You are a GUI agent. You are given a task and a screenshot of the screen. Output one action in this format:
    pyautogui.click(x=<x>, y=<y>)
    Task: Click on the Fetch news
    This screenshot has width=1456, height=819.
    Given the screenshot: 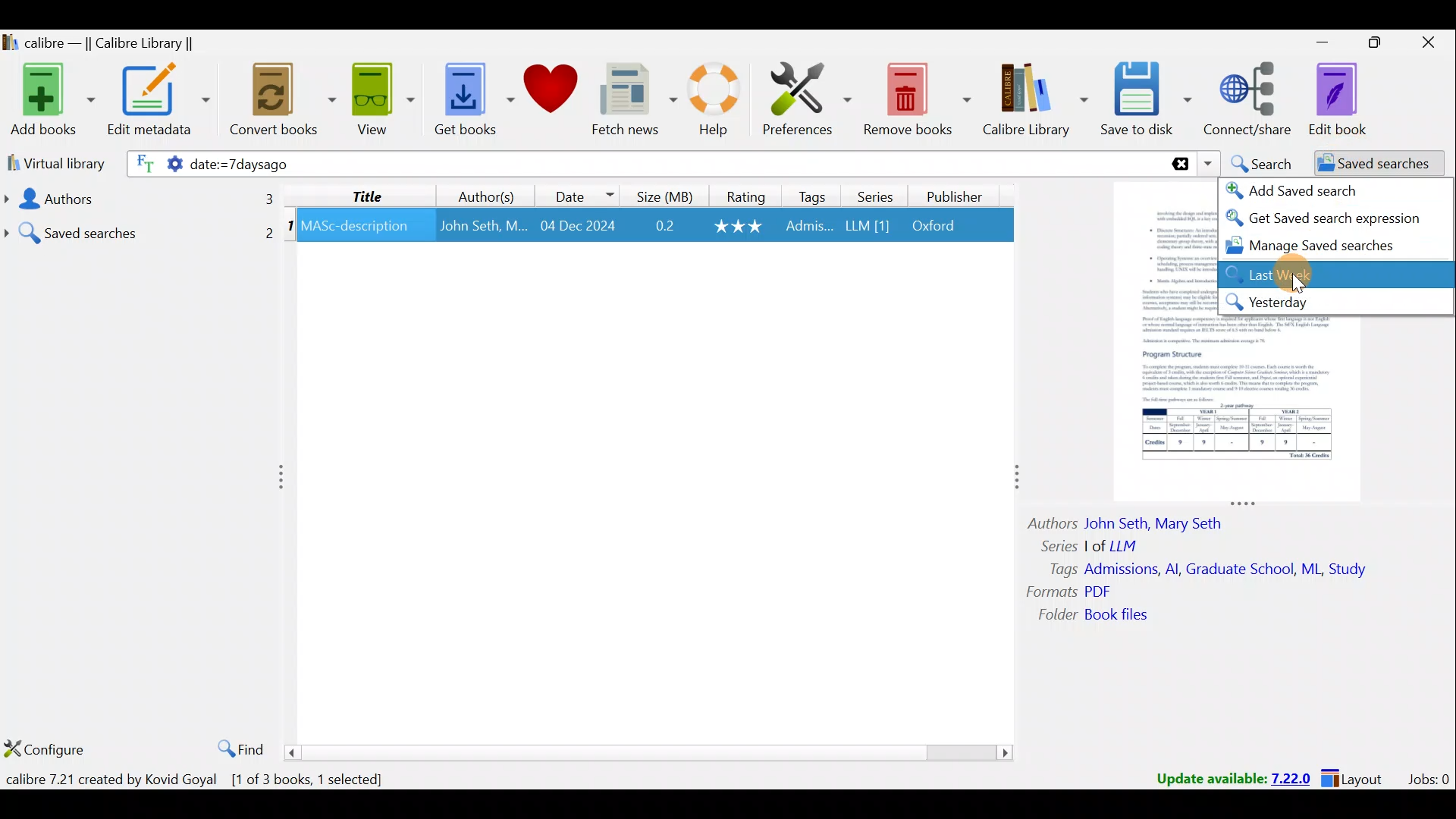 What is the action you would take?
    pyautogui.click(x=634, y=100)
    